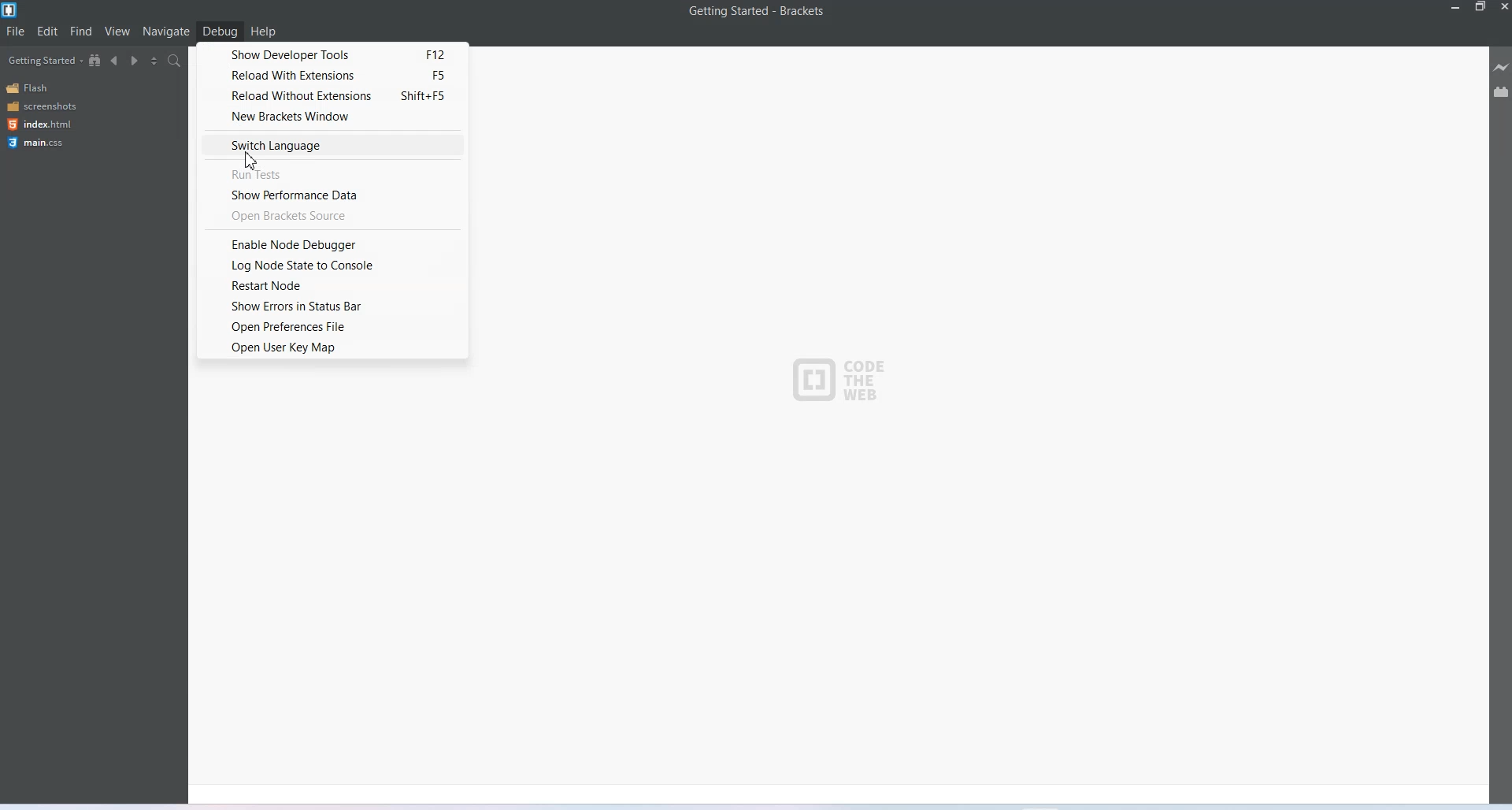 The height and width of the screenshot is (810, 1512). Describe the element at coordinates (332, 216) in the screenshot. I see `Open Brackets source` at that location.